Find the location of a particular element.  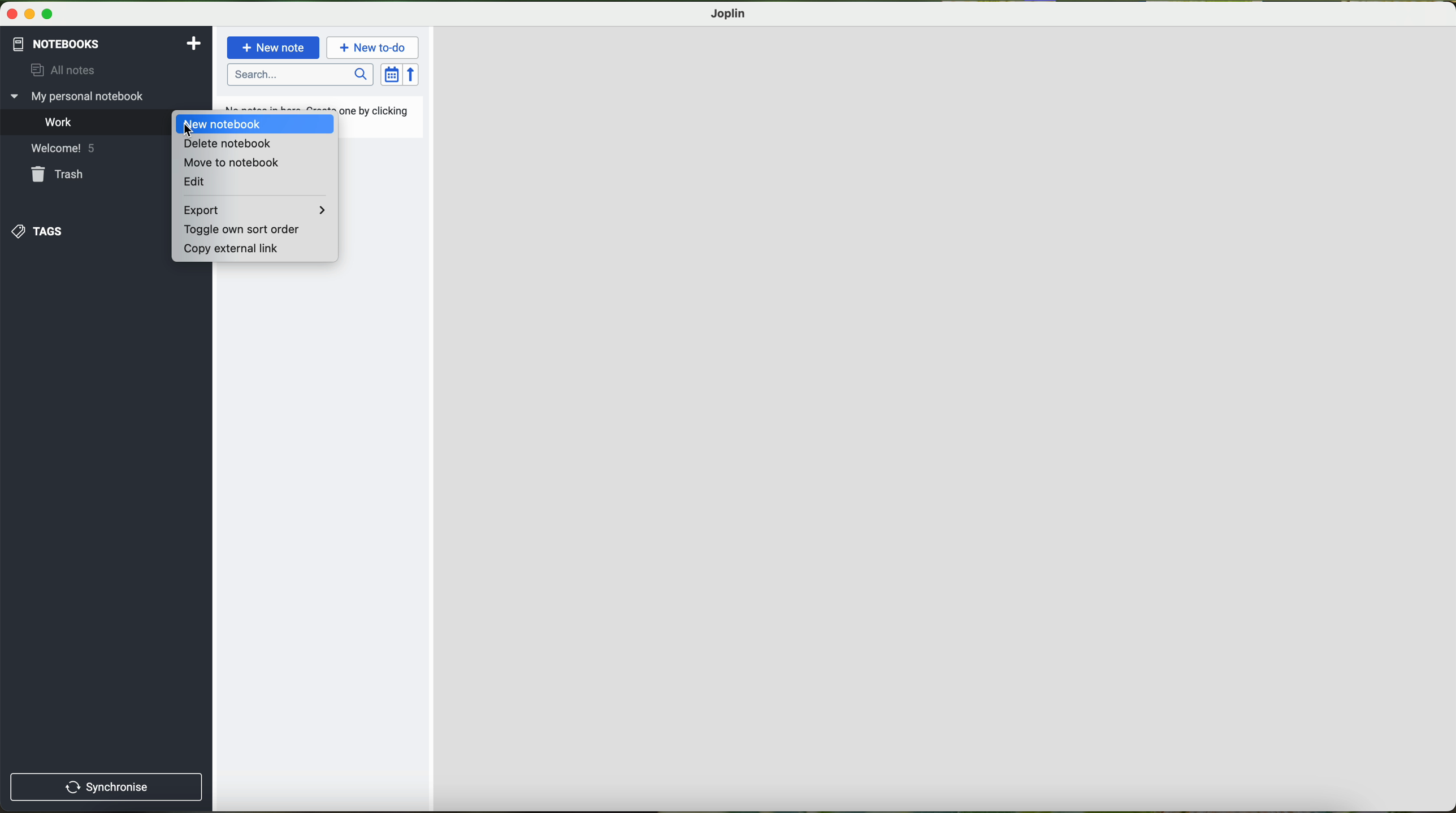

my personal notebook is located at coordinates (80, 97).